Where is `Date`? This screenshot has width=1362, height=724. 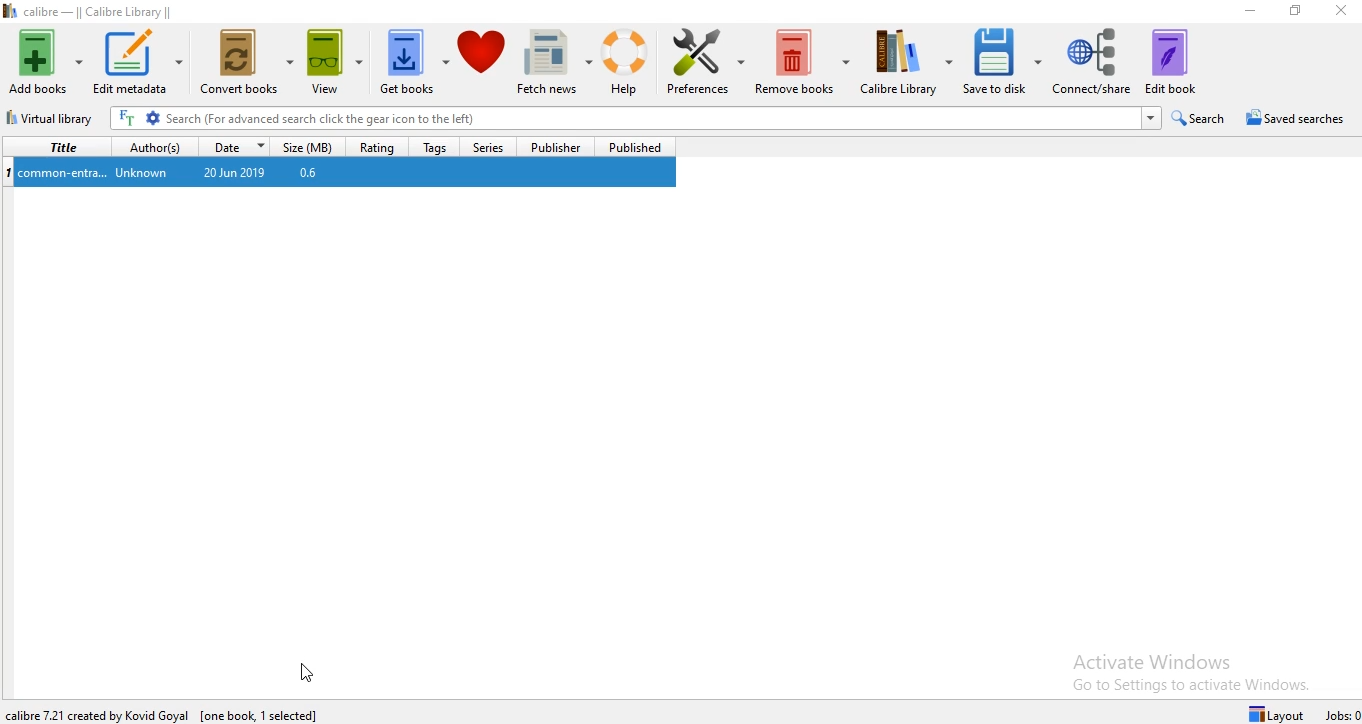
Date is located at coordinates (240, 146).